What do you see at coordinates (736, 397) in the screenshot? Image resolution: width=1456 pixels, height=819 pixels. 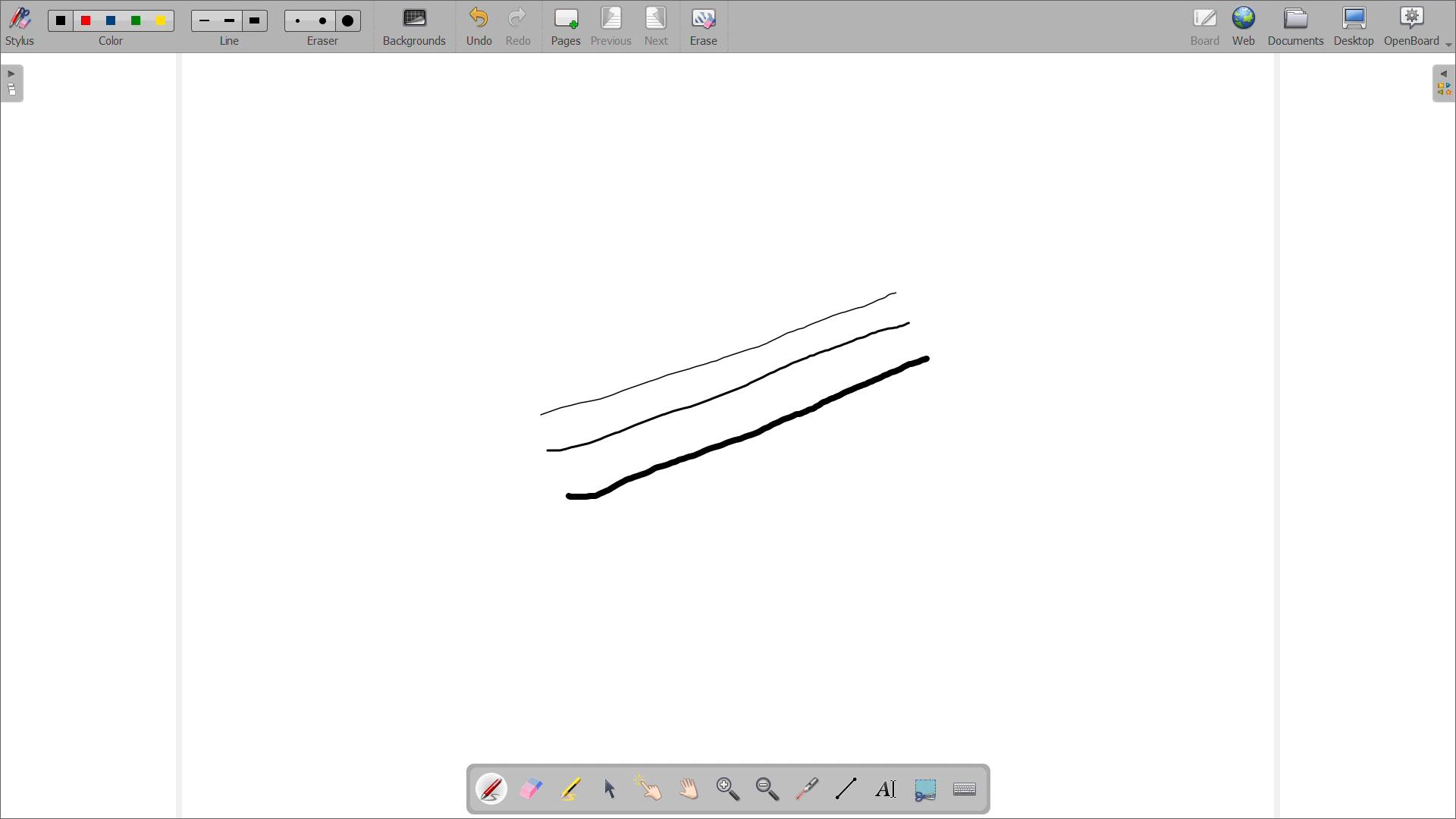 I see `3rd line being drawn` at bounding box center [736, 397].